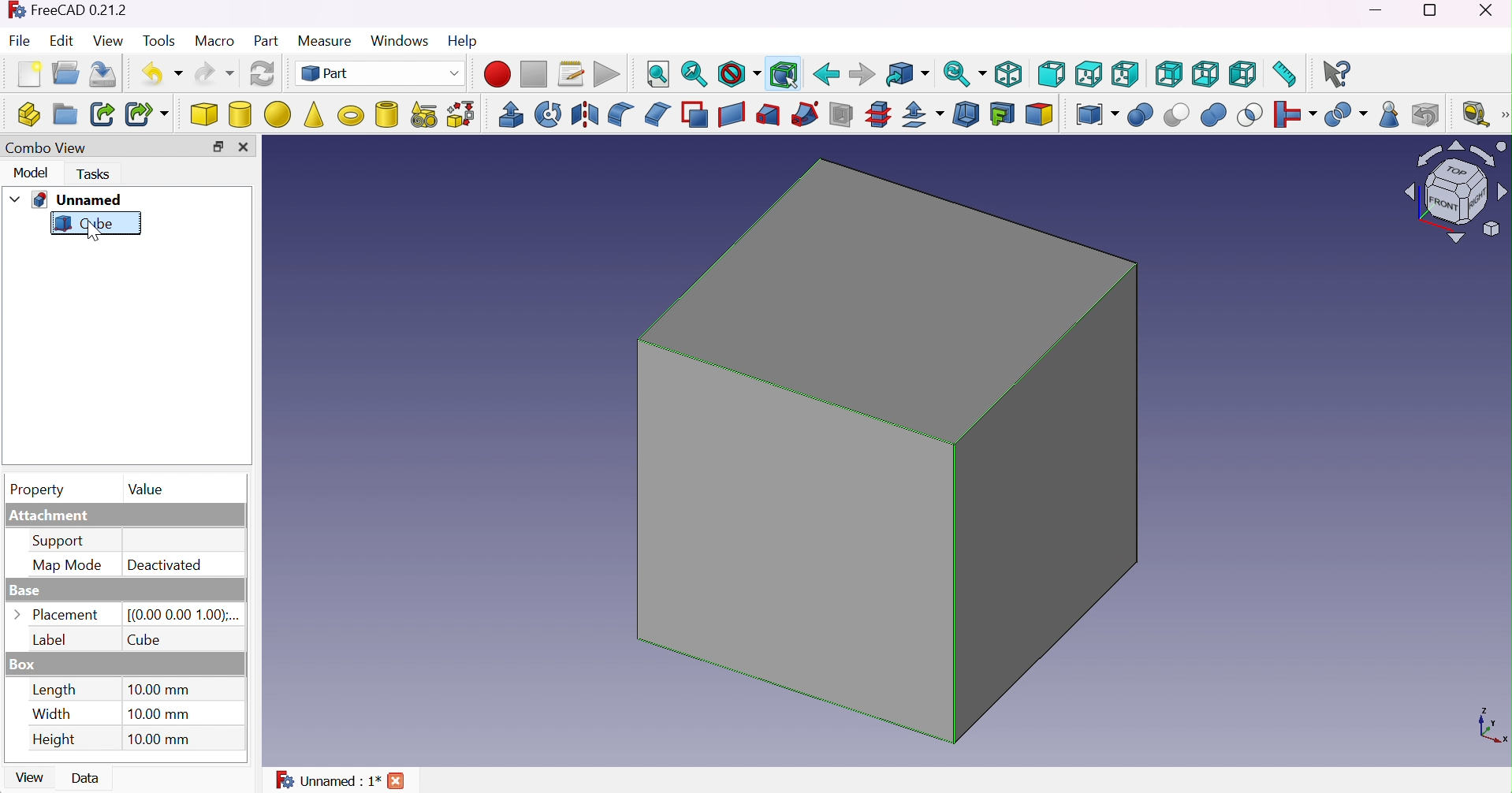 The height and width of the screenshot is (793, 1512). Describe the element at coordinates (67, 614) in the screenshot. I see `Placement` at that location.